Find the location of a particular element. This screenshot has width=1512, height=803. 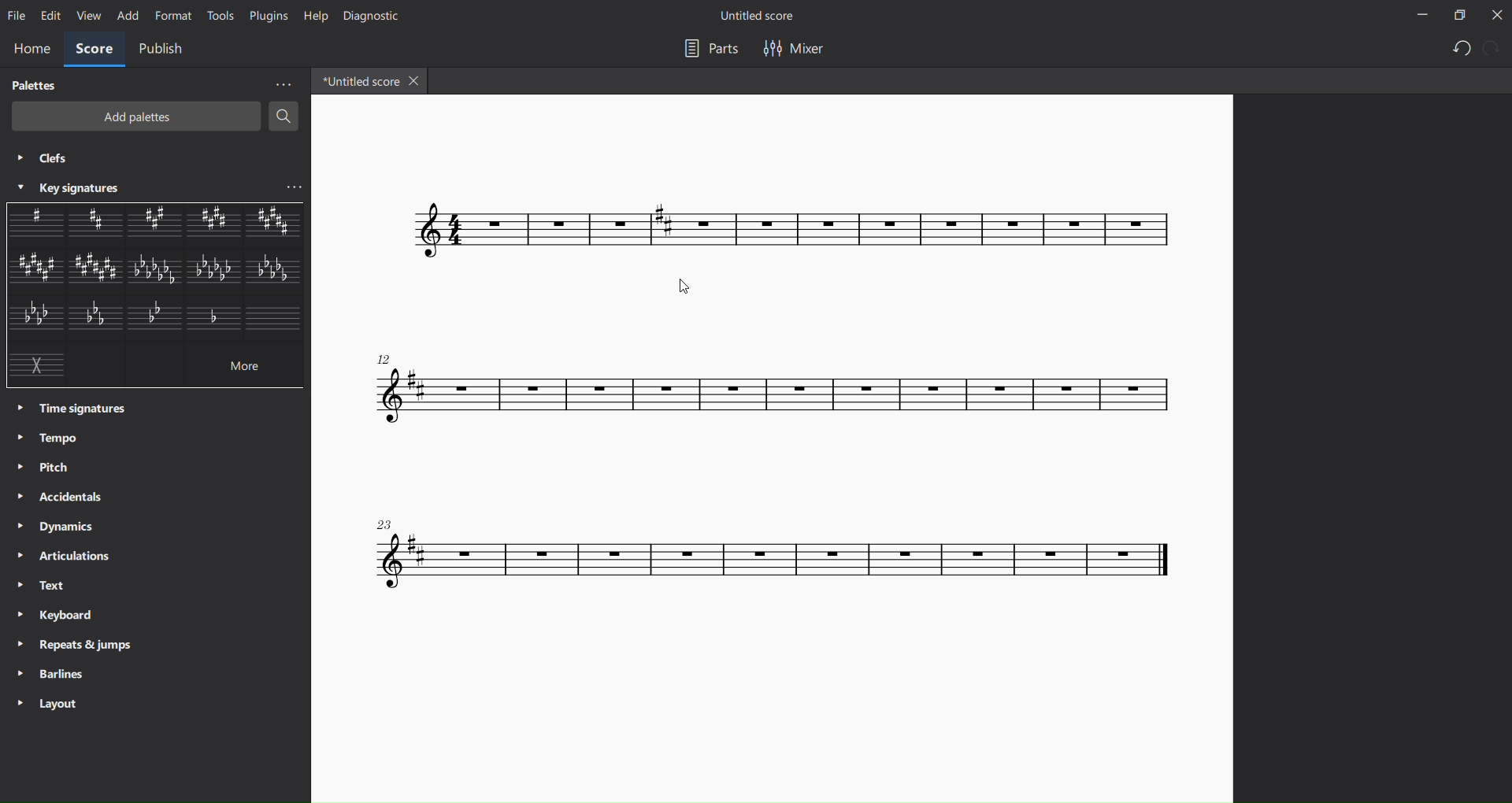

articulations is located at coordinates (70, 557).